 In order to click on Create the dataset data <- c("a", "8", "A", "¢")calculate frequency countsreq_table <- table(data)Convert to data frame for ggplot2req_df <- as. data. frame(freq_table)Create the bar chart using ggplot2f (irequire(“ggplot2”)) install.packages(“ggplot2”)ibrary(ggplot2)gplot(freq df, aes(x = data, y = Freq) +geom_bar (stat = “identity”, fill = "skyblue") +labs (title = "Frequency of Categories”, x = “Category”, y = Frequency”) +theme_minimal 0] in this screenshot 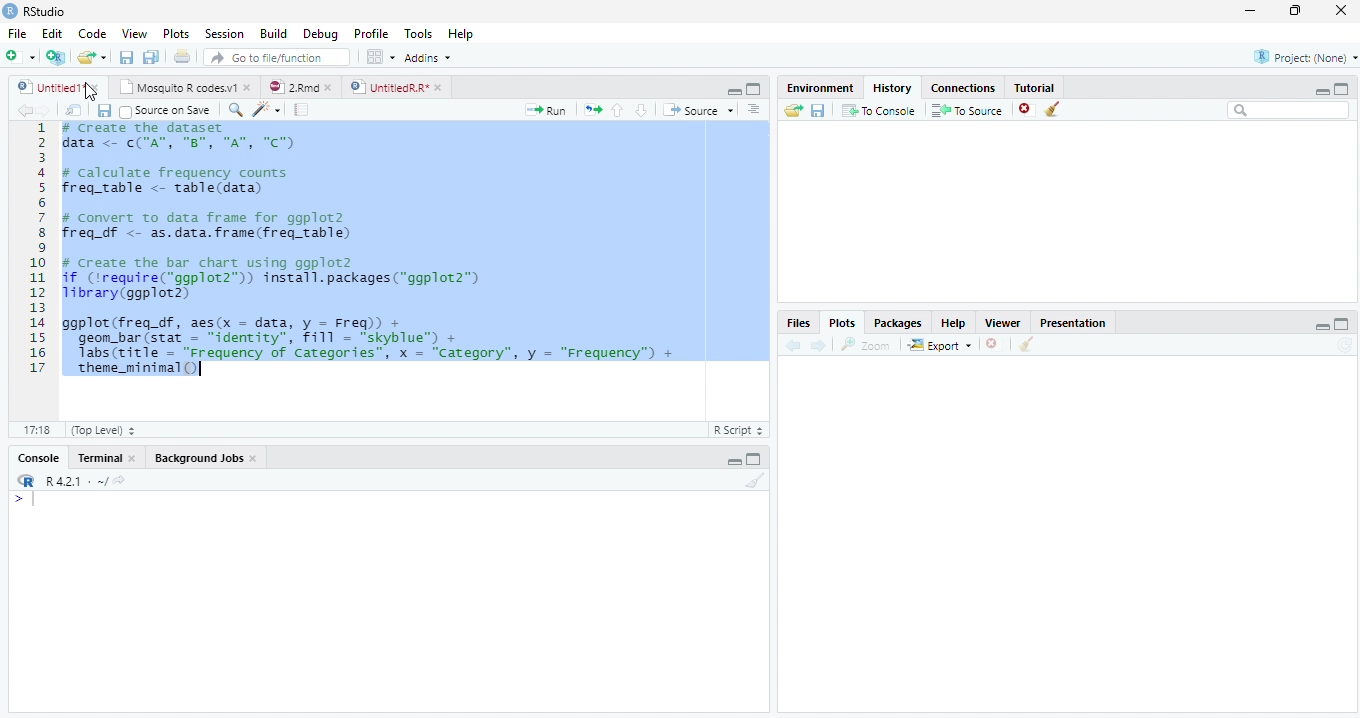, I will do `click(416, 248)`.